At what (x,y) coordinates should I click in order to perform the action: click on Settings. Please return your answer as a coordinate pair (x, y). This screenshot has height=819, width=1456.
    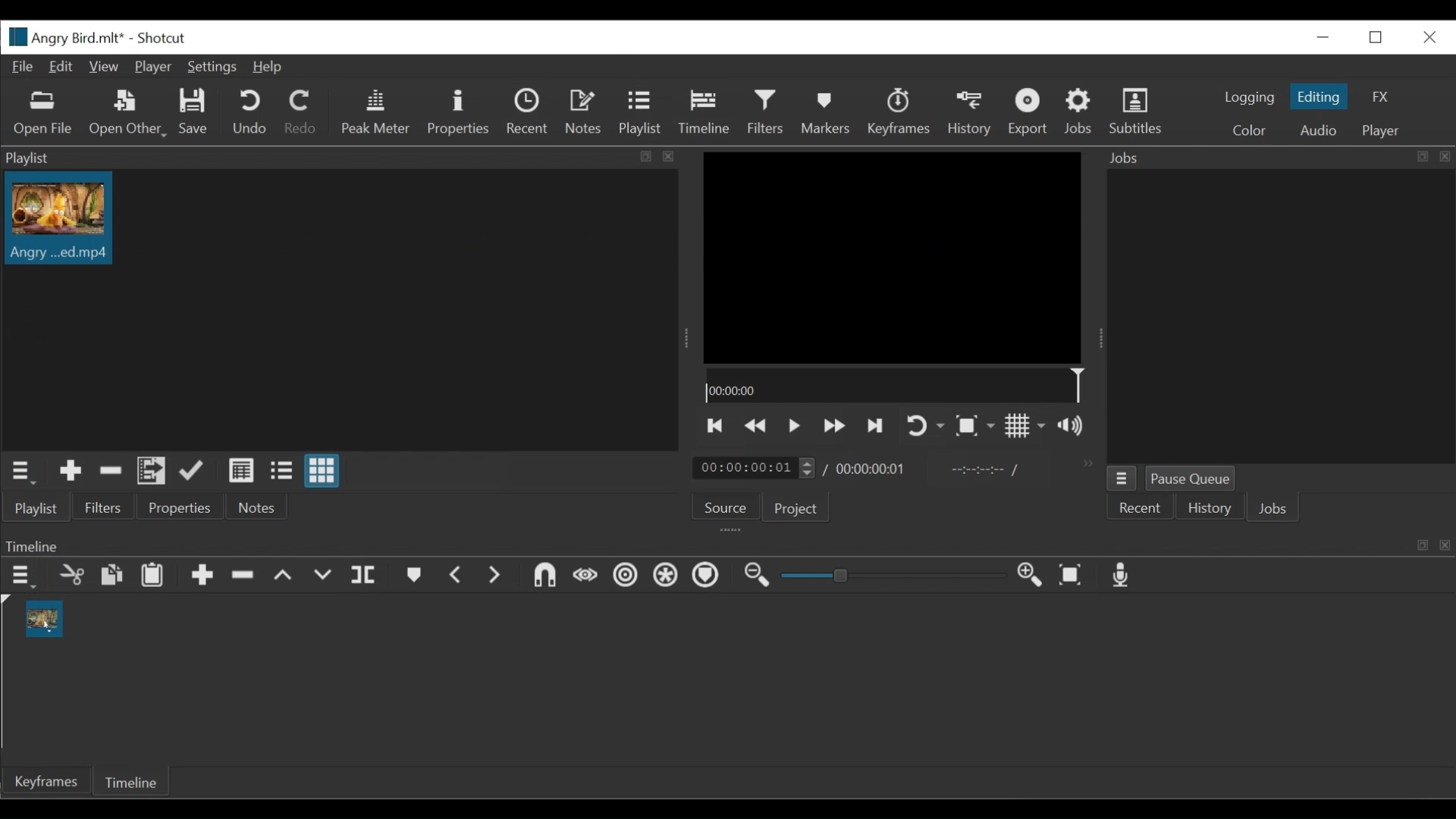
    Looking at the image, I should click on (212, 67).